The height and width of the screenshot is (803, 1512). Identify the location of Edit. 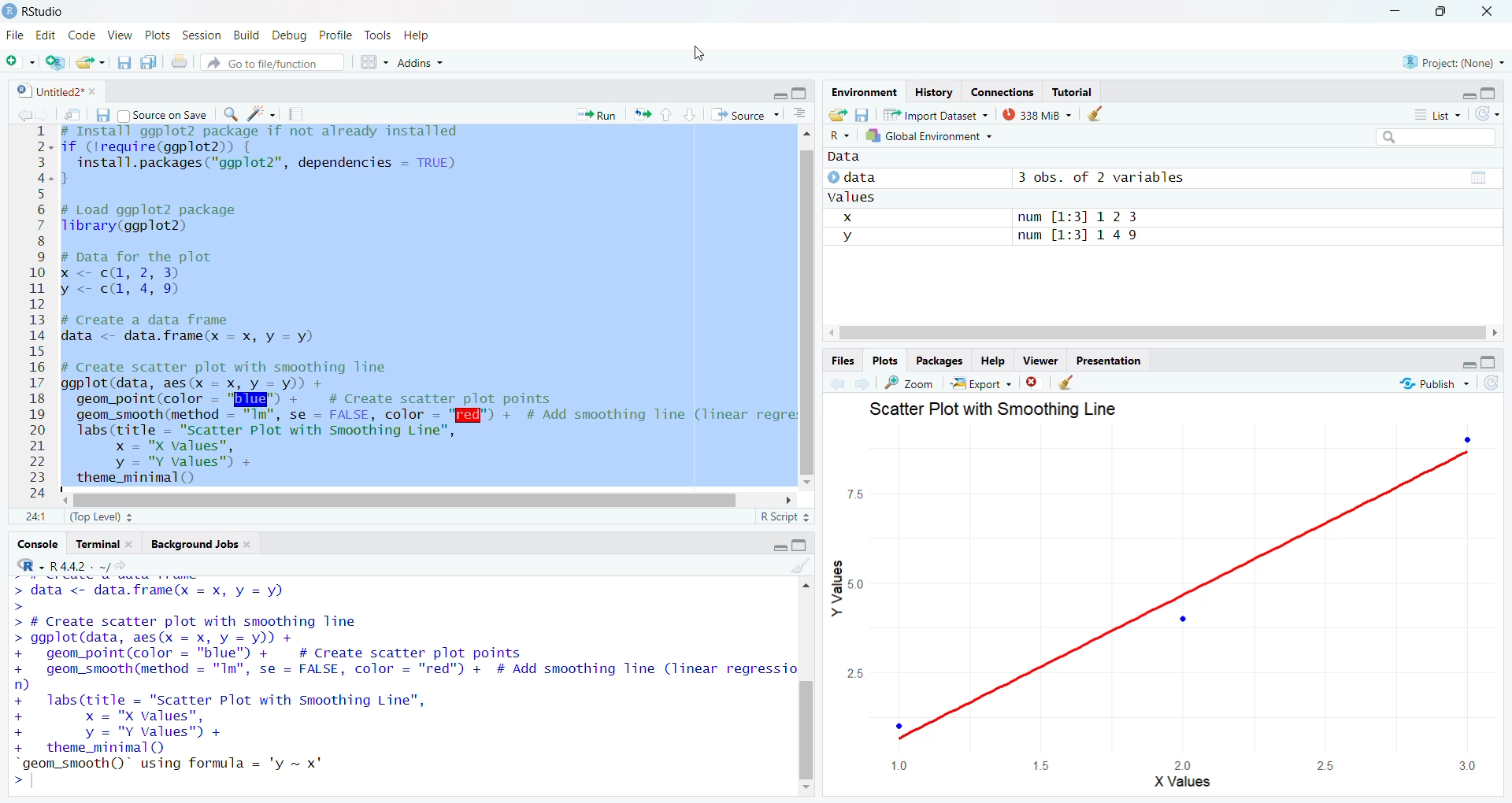
(45, 36).